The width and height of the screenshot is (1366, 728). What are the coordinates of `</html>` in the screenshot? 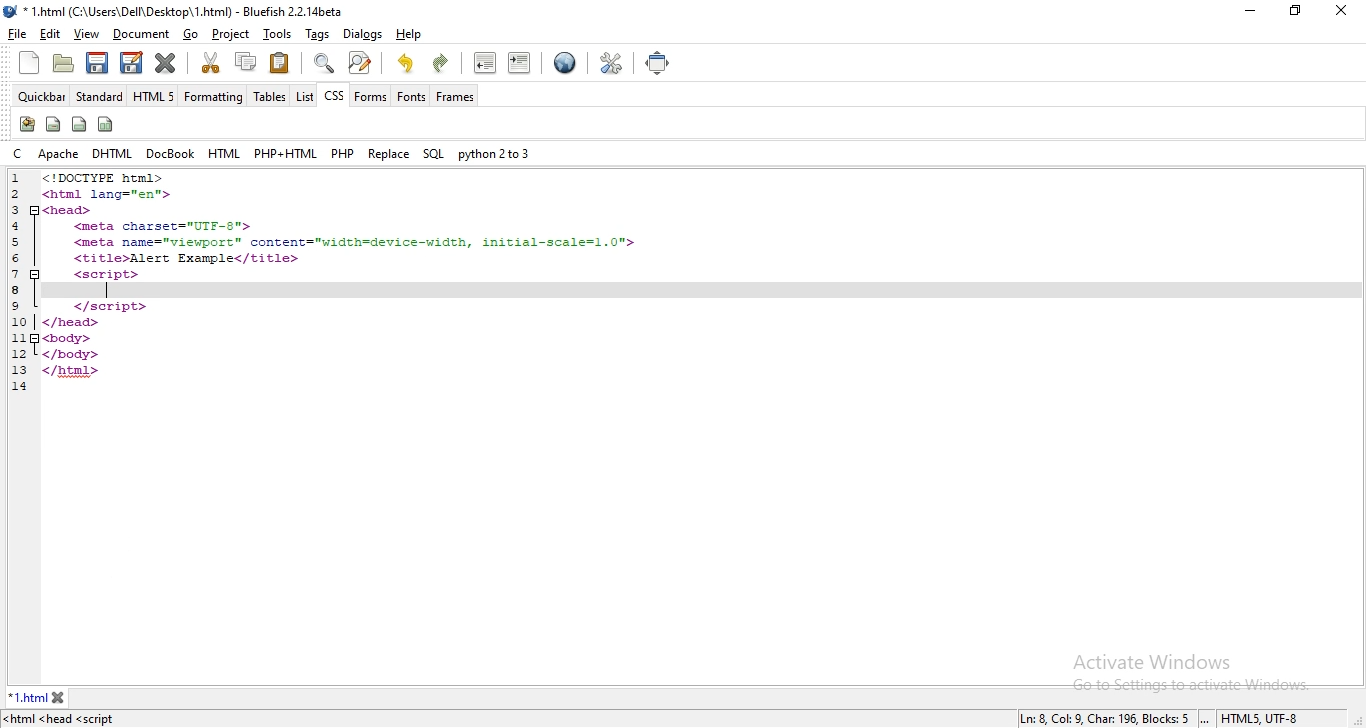 It's located at (73, 370).